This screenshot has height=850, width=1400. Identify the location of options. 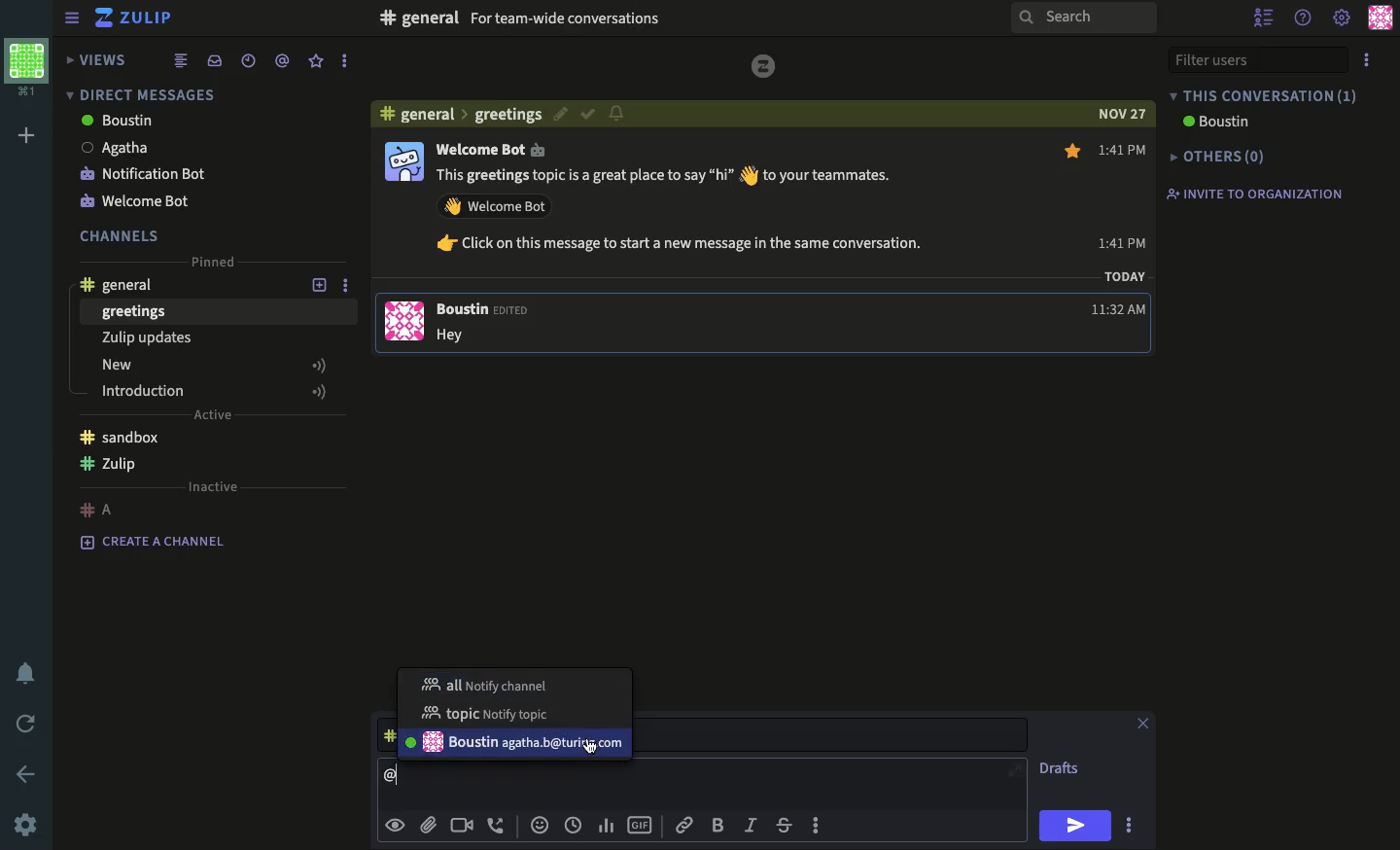
(818, 824).